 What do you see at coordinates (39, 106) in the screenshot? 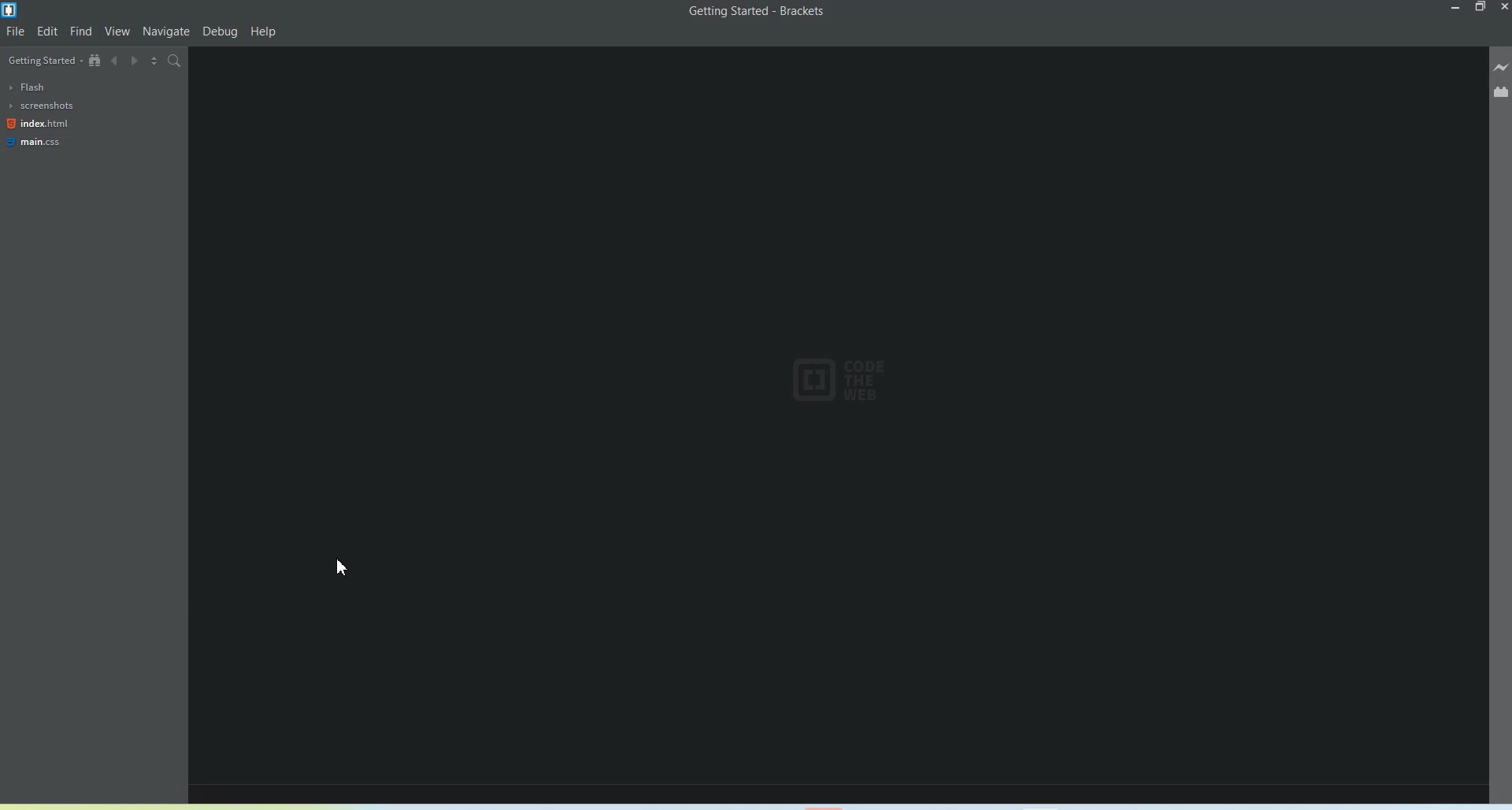
I see `screenshots` at bounding box center [39, 106].